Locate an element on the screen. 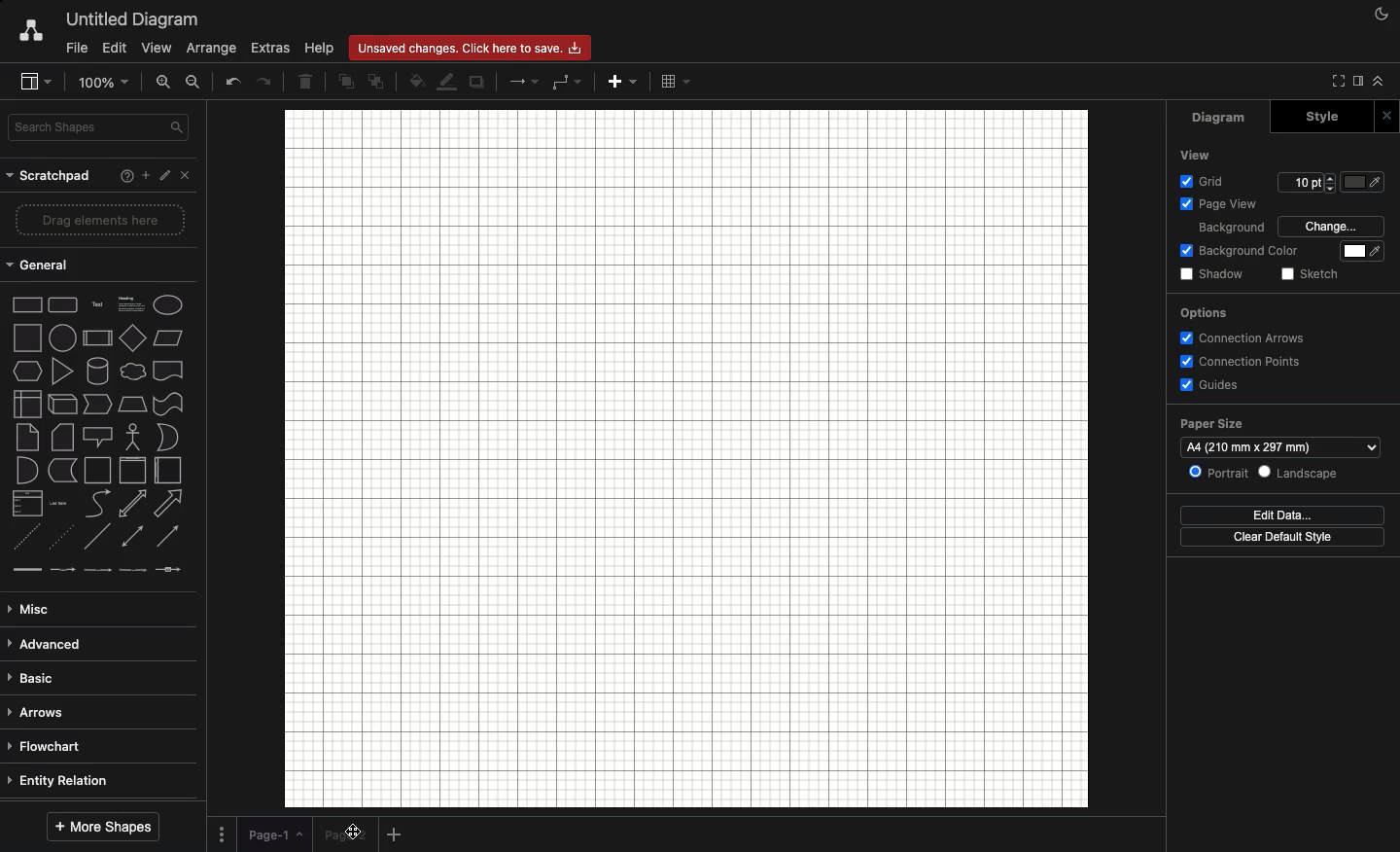 This screenshot has height=852, width=1400. File is located at coordinates (75, 47).